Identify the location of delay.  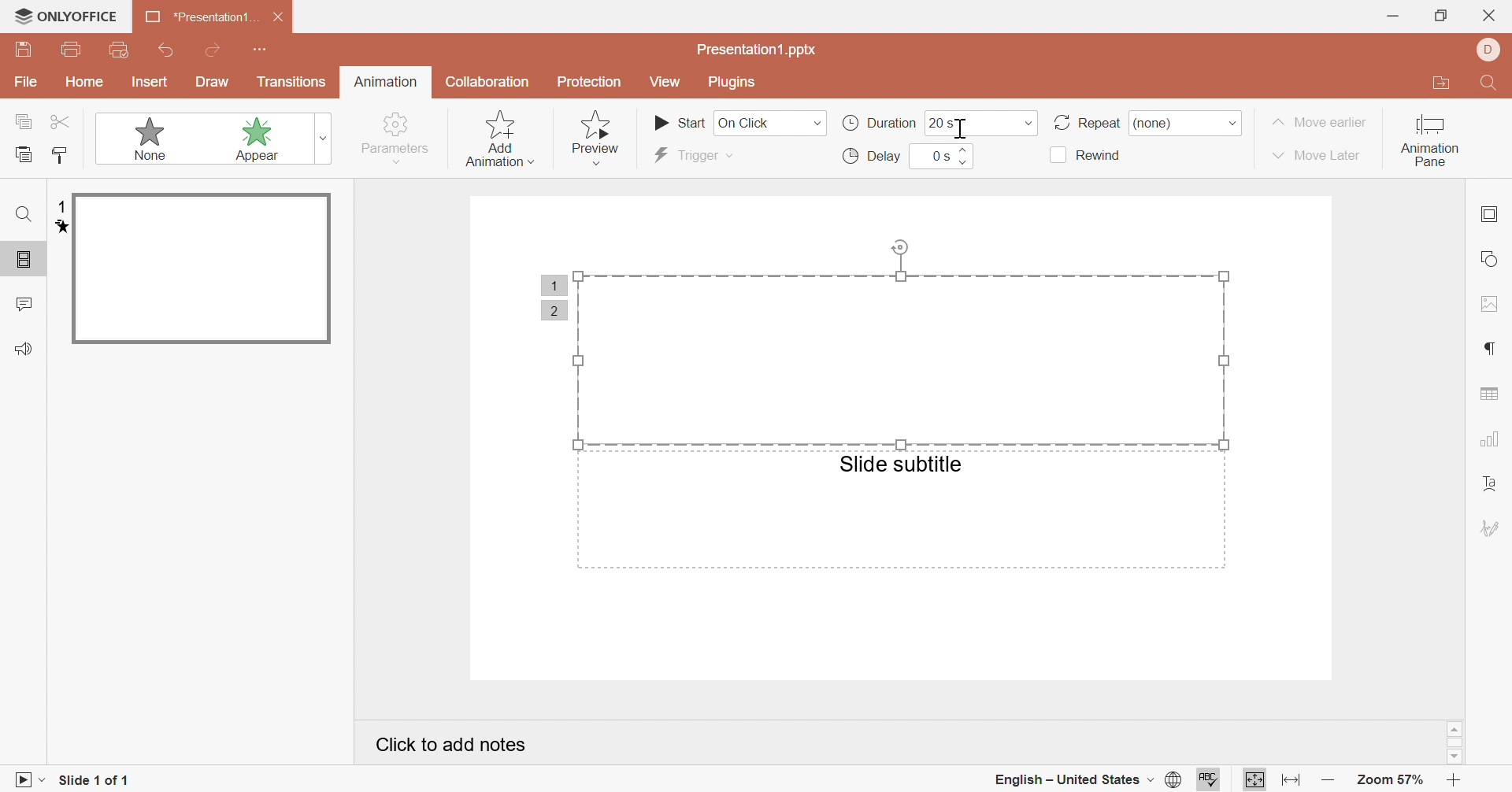
(873, 156).